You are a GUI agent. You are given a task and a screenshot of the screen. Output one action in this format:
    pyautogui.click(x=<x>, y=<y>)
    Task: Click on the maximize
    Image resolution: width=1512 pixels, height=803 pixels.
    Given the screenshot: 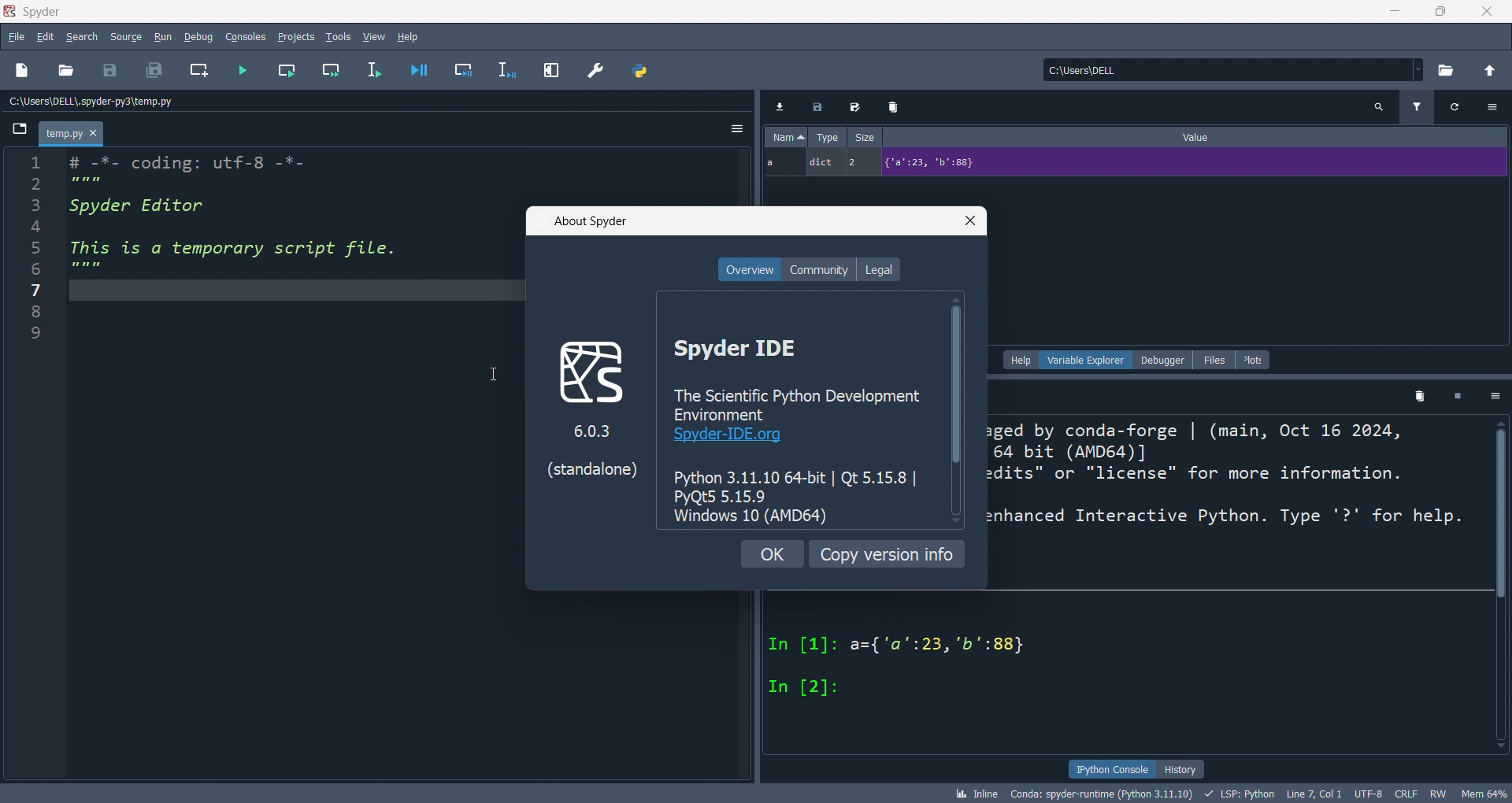 What is the action you would take?
    pyautogui.click(x=1440, y=12)
    